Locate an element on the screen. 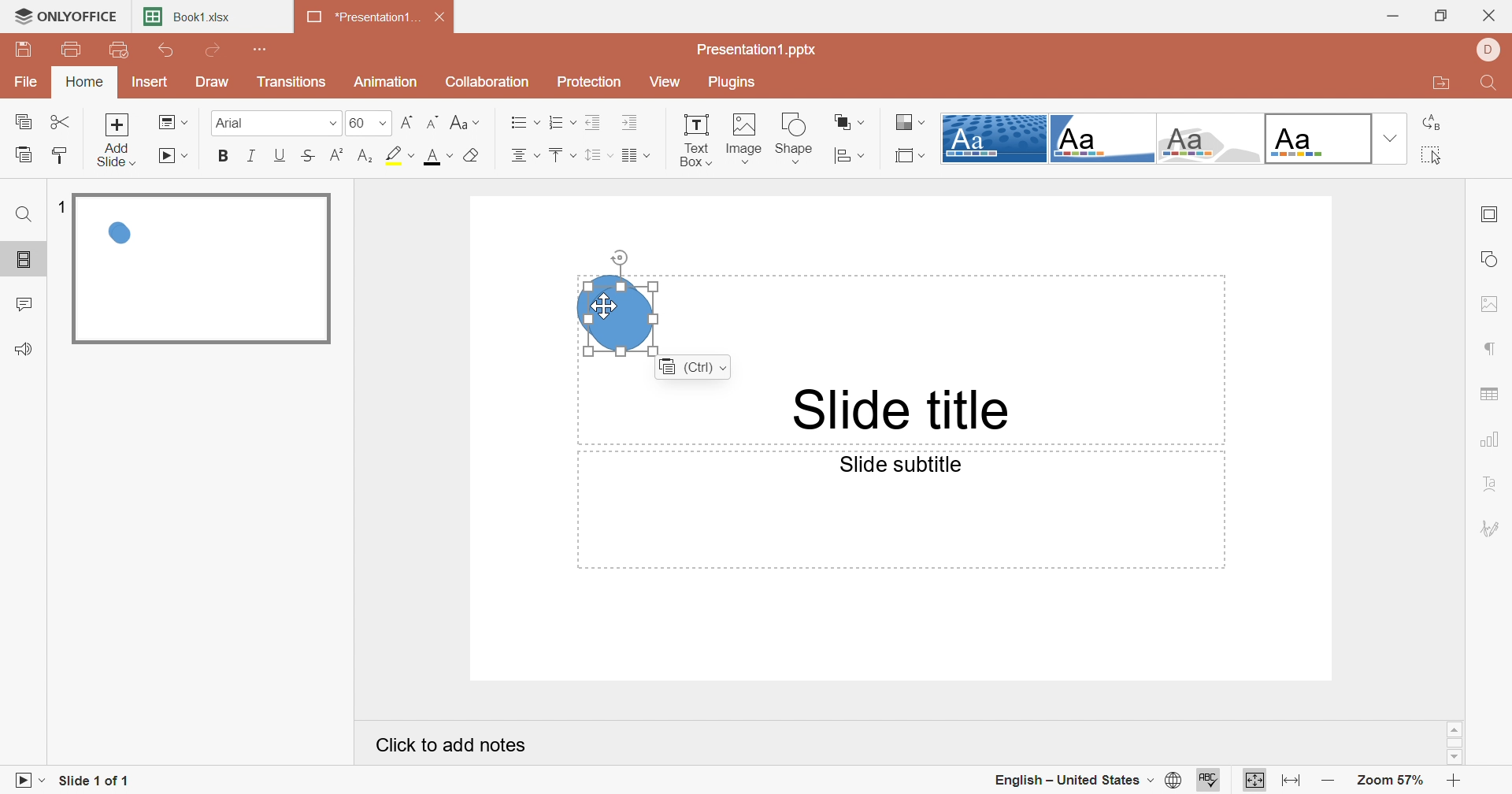  Start slideshow is located at coordinates (26, 783).